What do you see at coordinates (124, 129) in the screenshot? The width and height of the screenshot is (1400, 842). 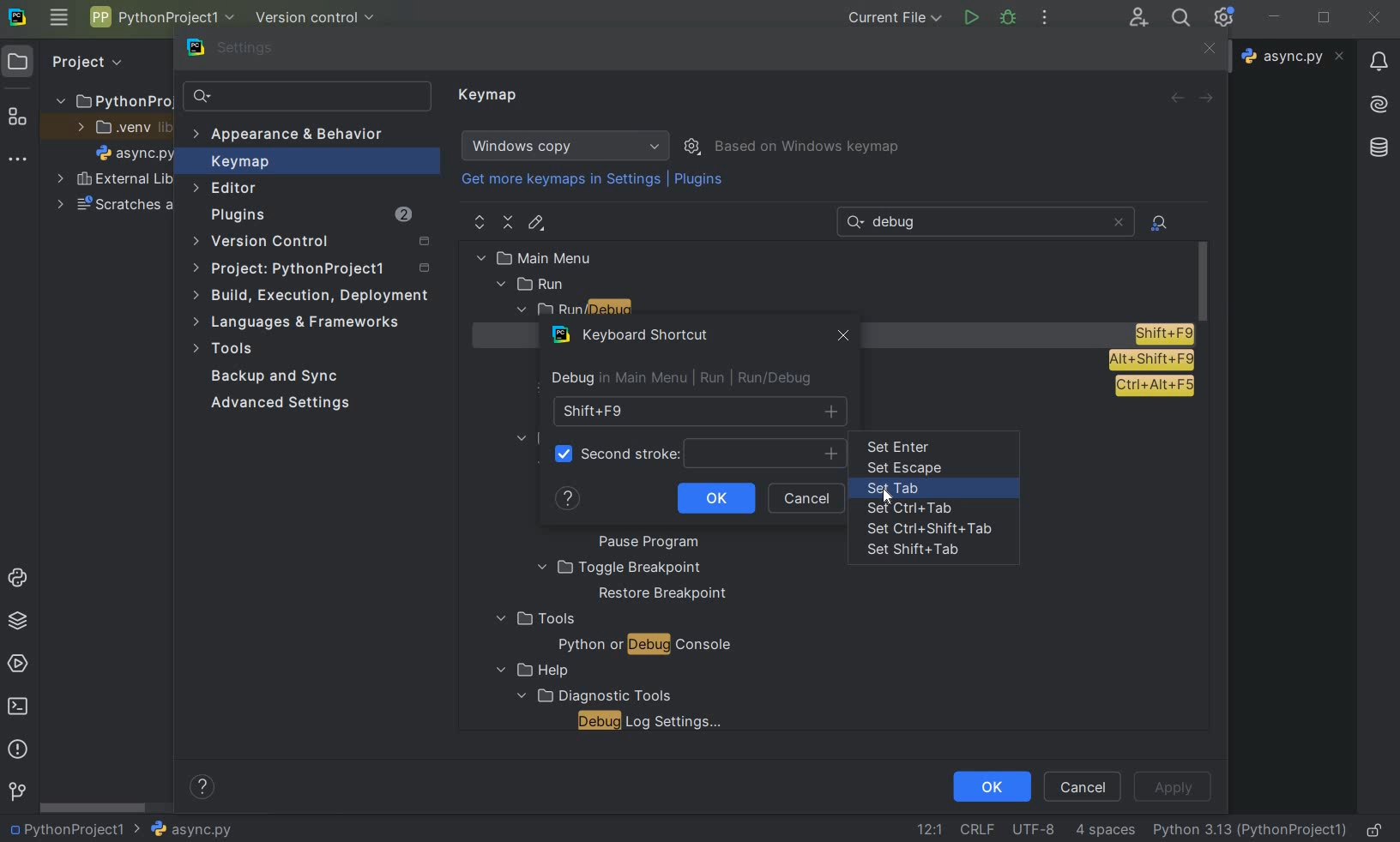 I see `.venv` at bounding box center [124, 129].